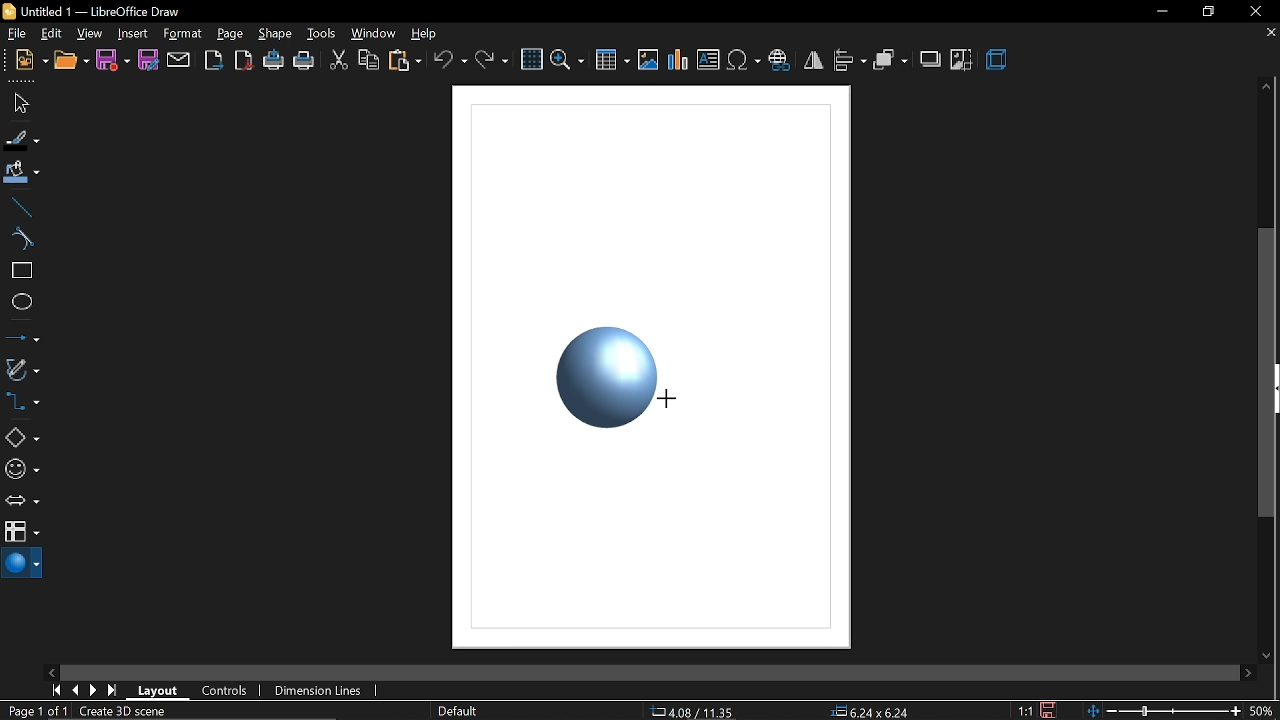  I want to click on open, so click(70, 60).